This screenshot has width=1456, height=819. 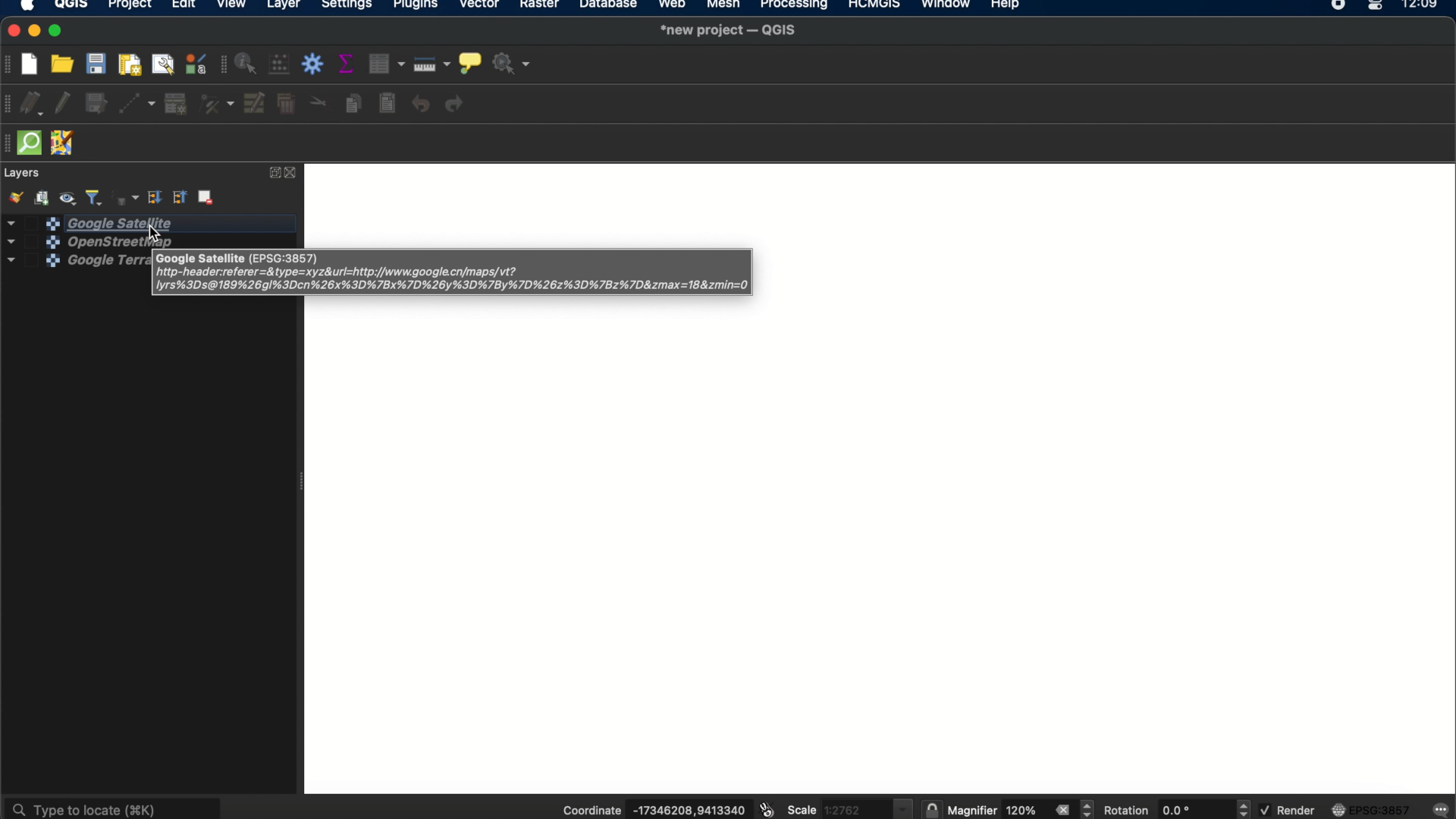 I want to click on *new project-QGIS, so click(x=730, y=31).